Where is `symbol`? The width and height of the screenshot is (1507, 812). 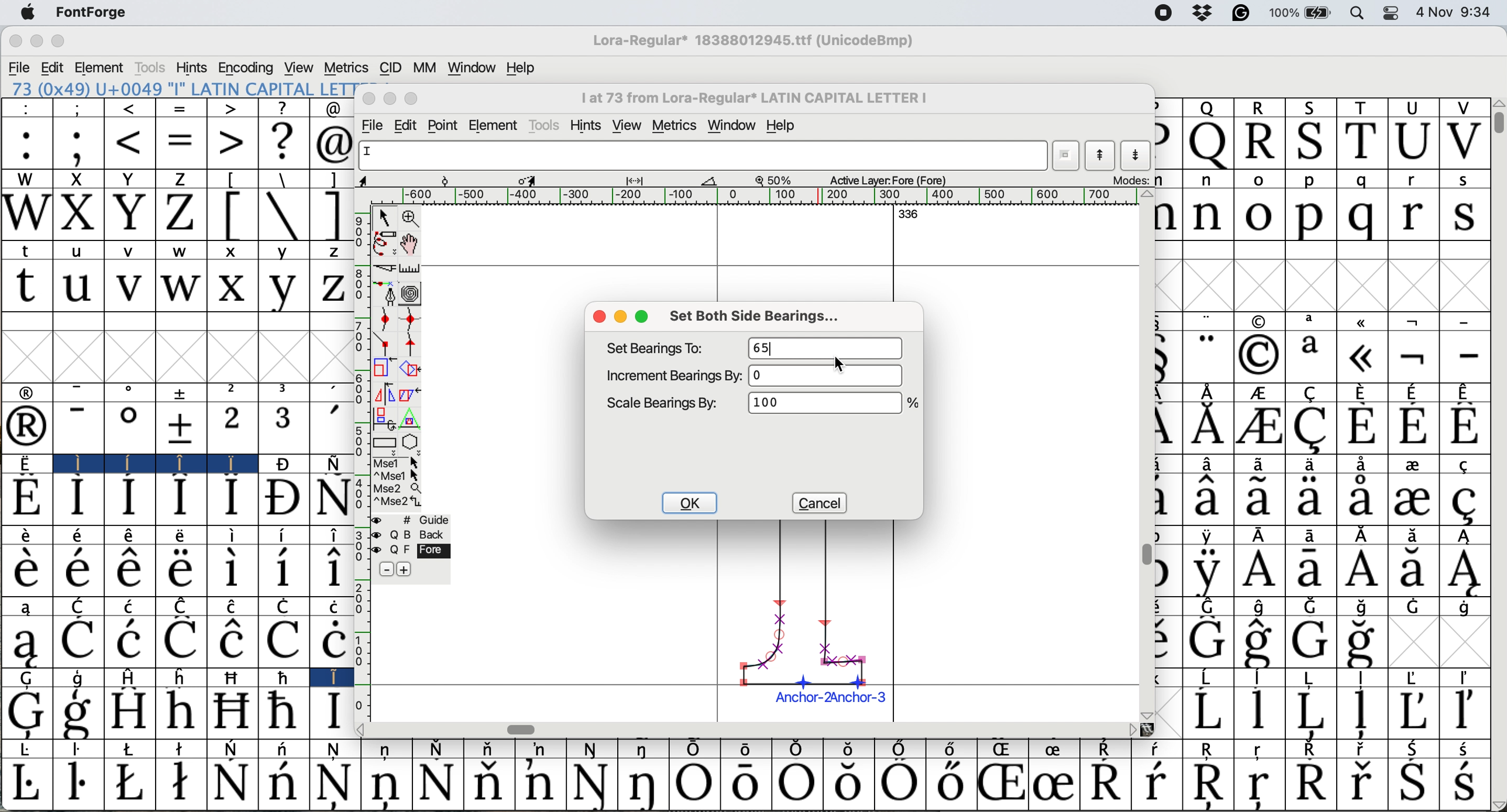 symbol is located at coordinates (1209, 391).